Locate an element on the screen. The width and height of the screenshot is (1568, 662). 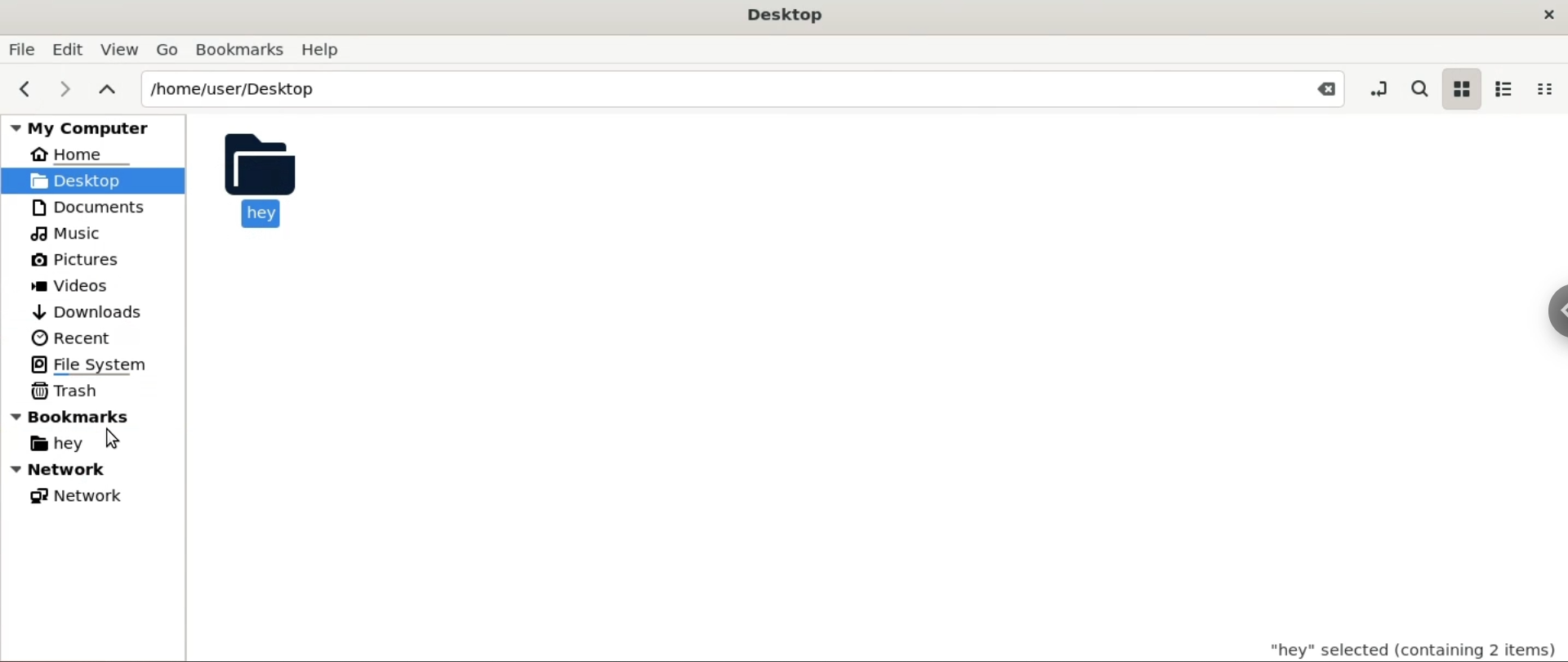
"hey" selected (containing 2 items) is located at coordinates (1391, 646).